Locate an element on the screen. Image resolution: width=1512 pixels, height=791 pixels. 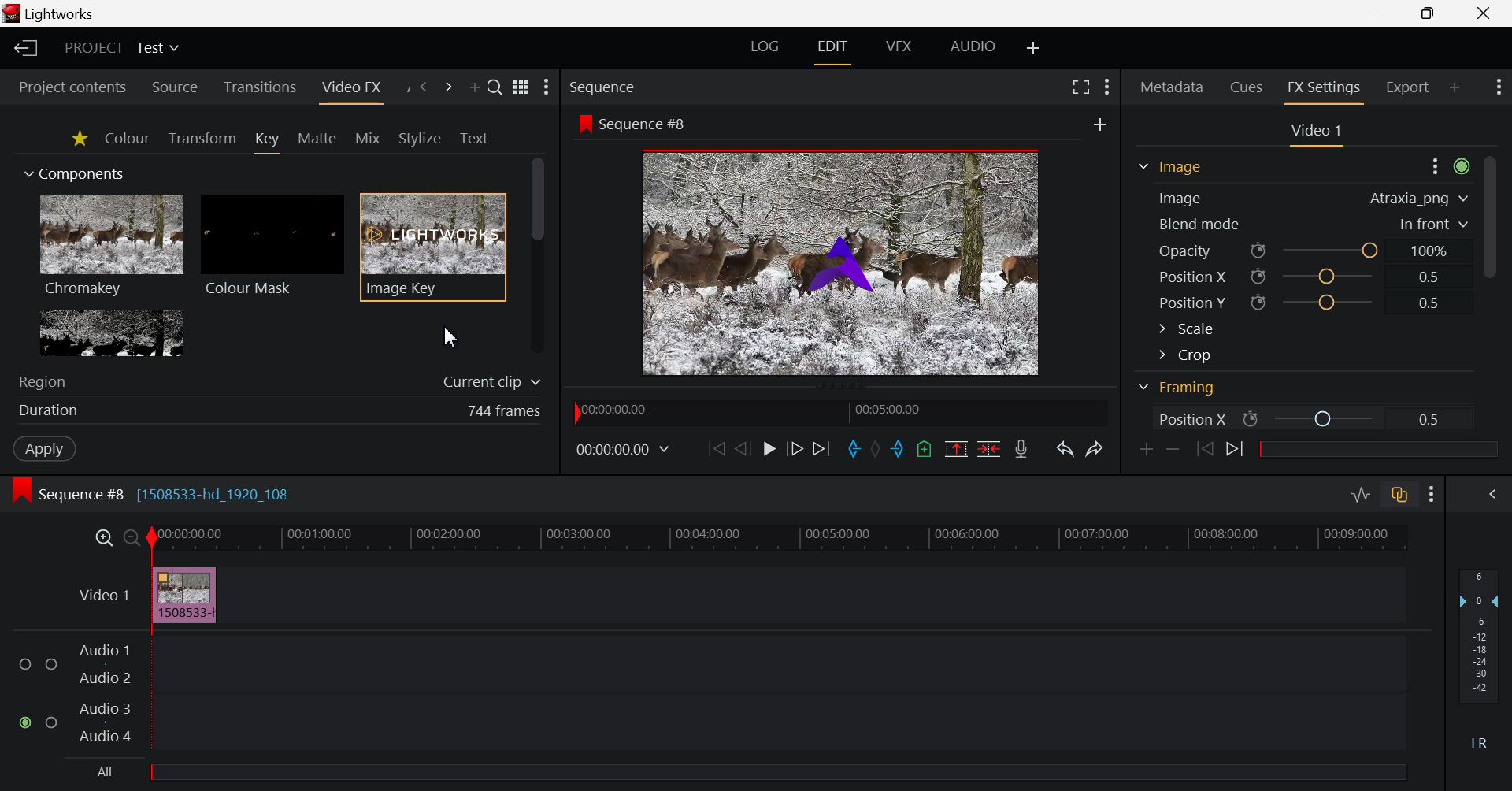
checked  checkbox is located at coordinates (24, 722).